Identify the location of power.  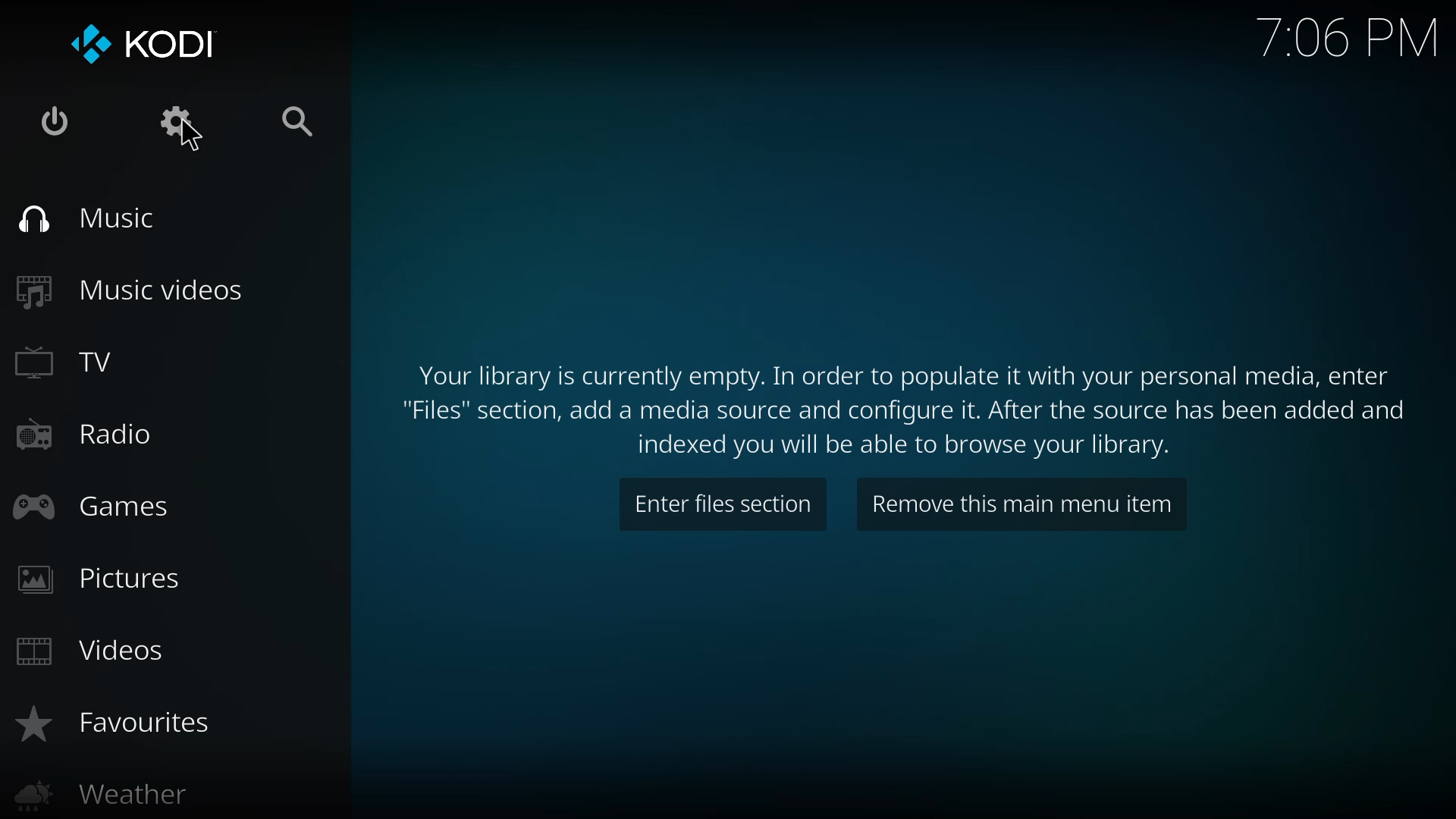
(52, 123).